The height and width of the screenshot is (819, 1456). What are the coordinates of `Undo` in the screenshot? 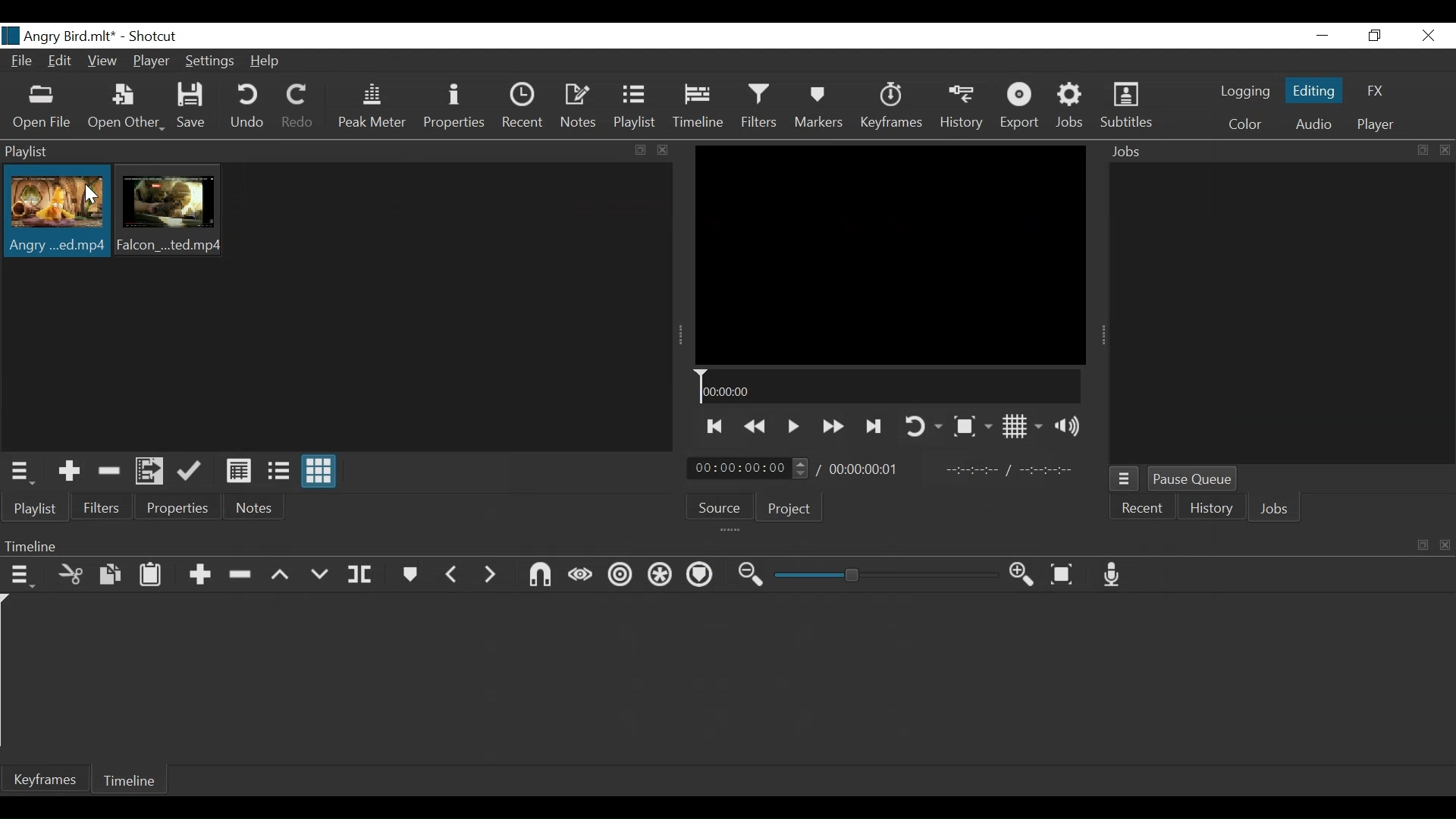 It's located at (246, 108).